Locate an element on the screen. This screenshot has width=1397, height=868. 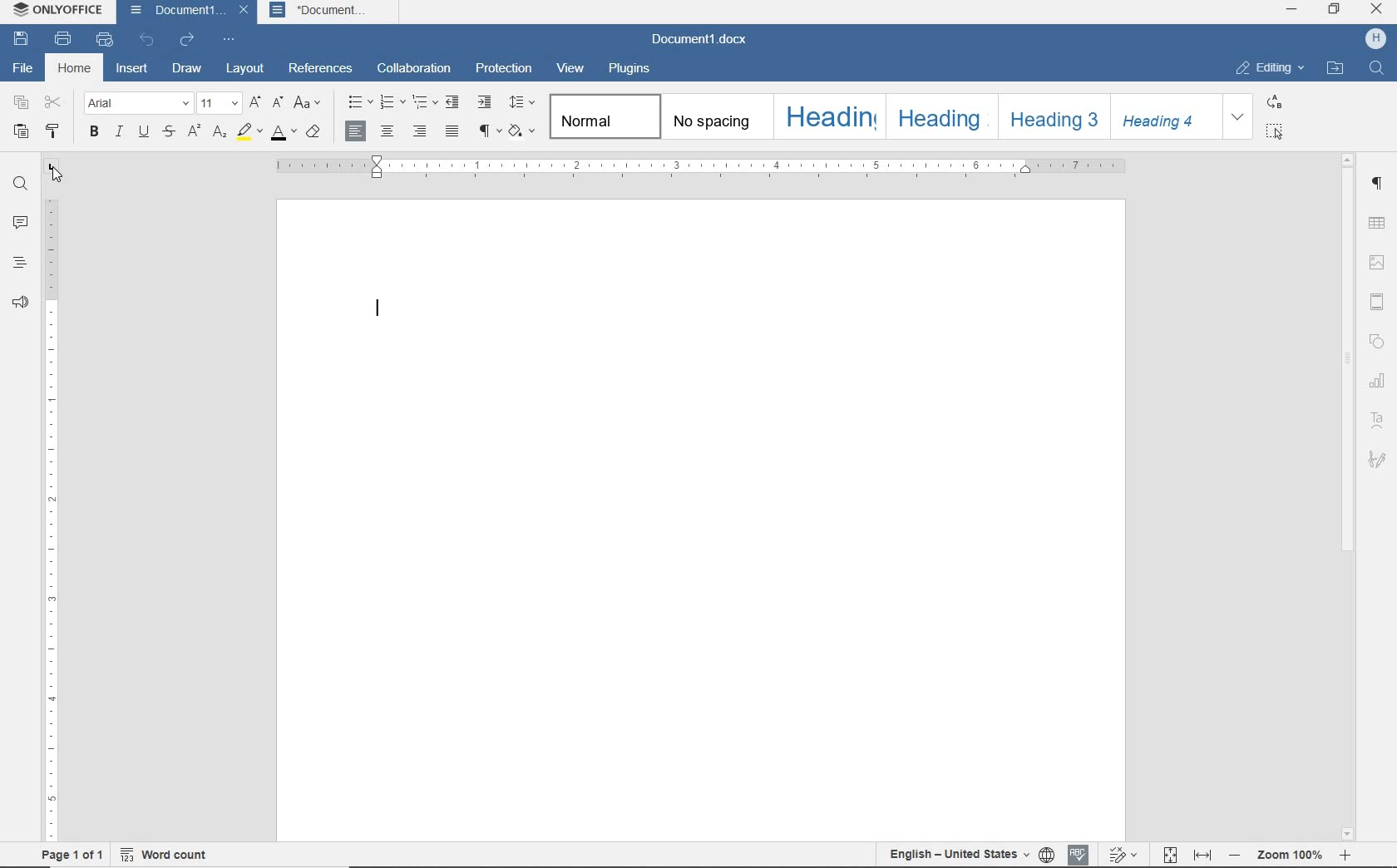
PARAGRAPH LINE SPACING is located at coordinates (521, 103).